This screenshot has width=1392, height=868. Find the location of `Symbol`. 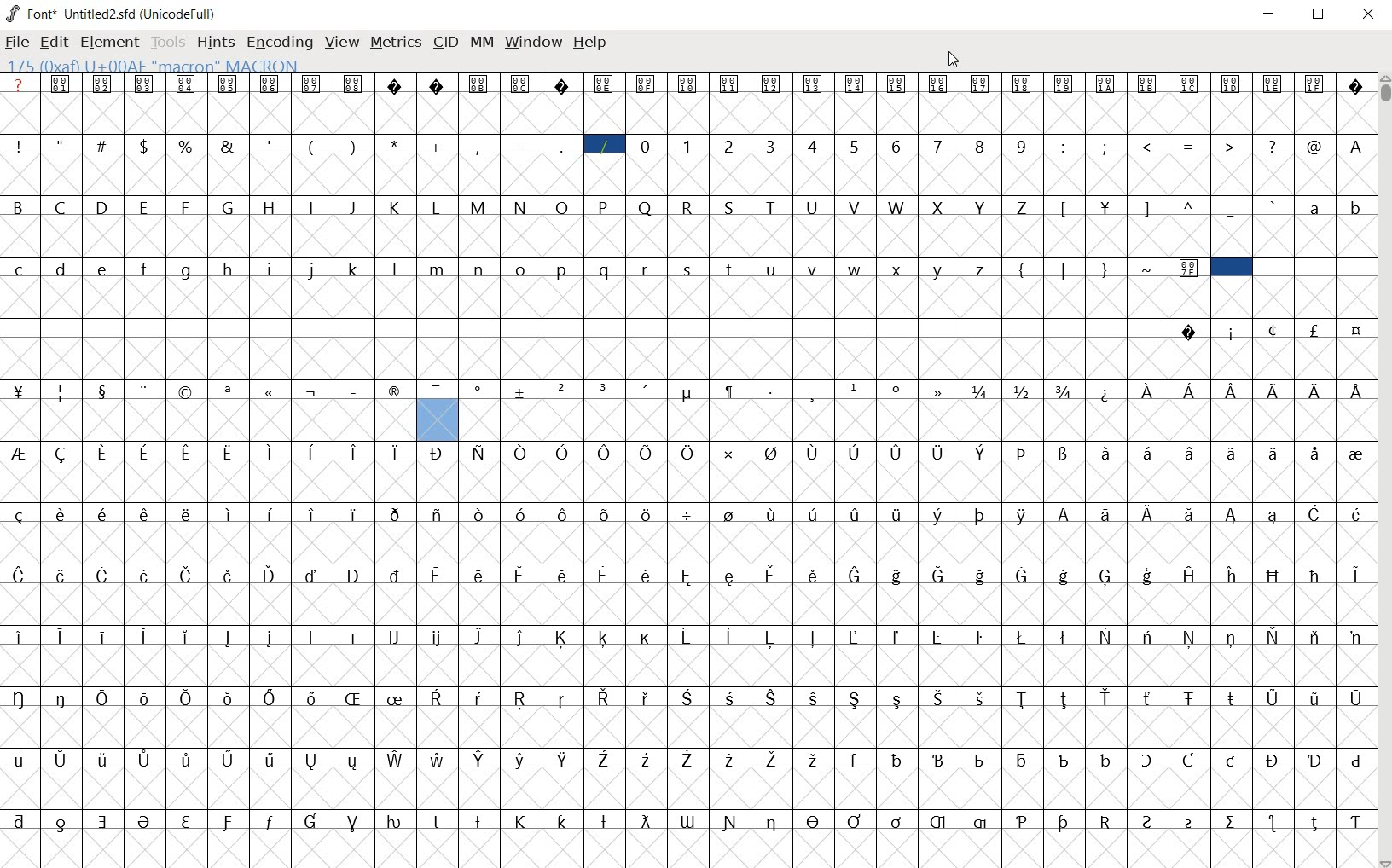

Symbol is located at coordinates (1189, 821).